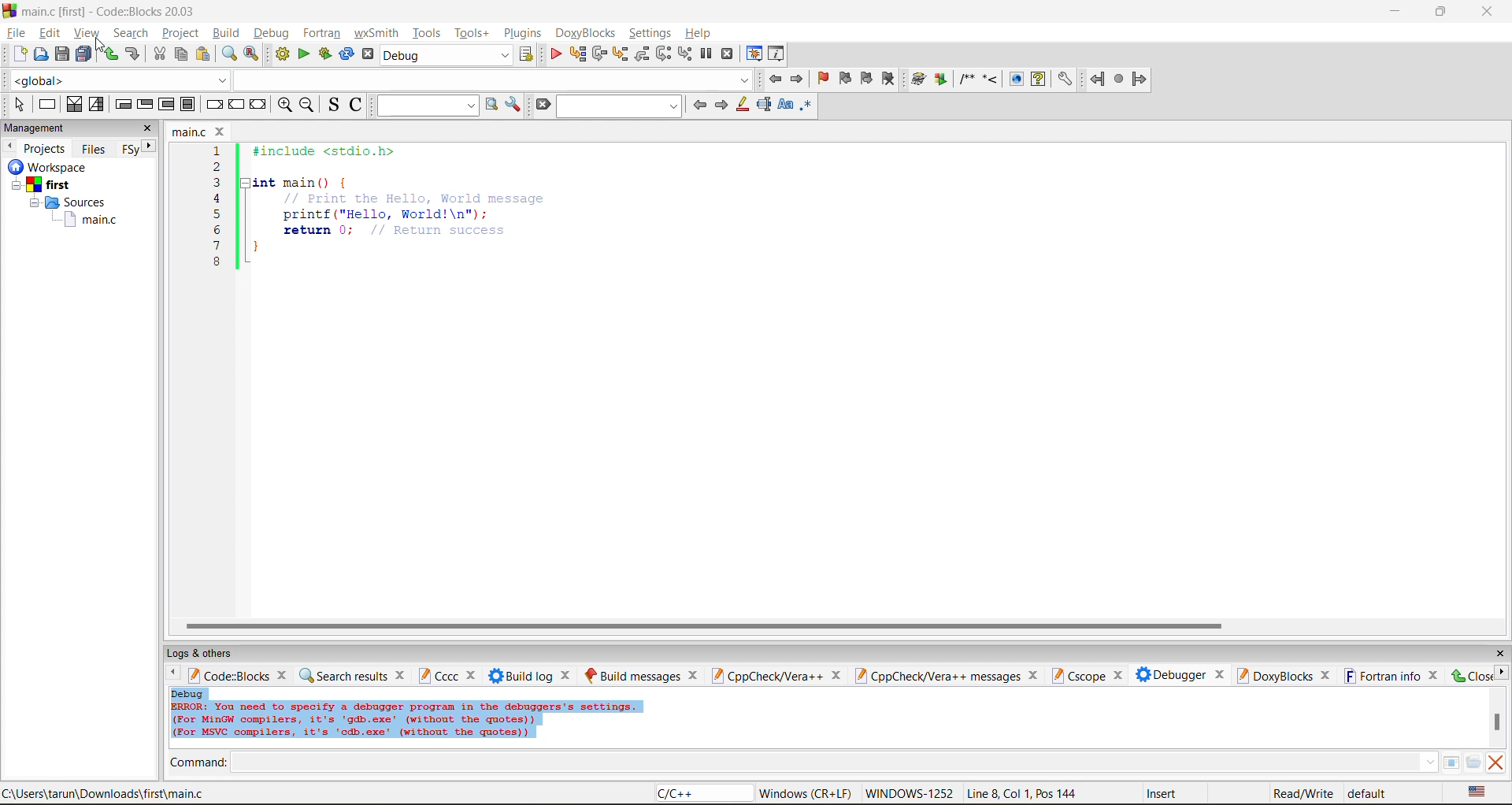  What do you see at coordinates (104, 43) in the screenshot?
I see `Cursor` at bounding box center [104, 43].